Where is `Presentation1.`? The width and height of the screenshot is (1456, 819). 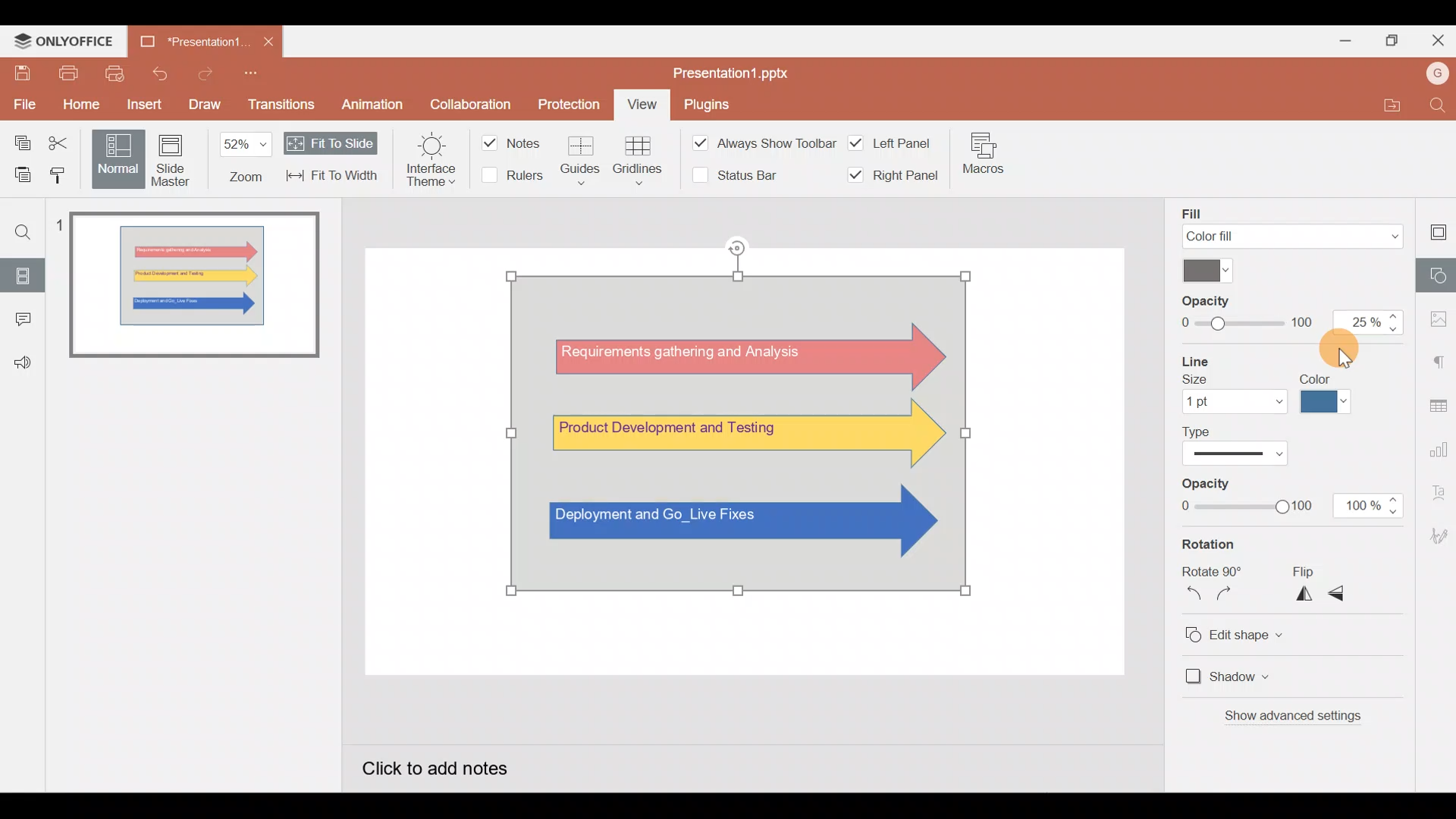 Presentation1. is located at coordinates (191, 42).